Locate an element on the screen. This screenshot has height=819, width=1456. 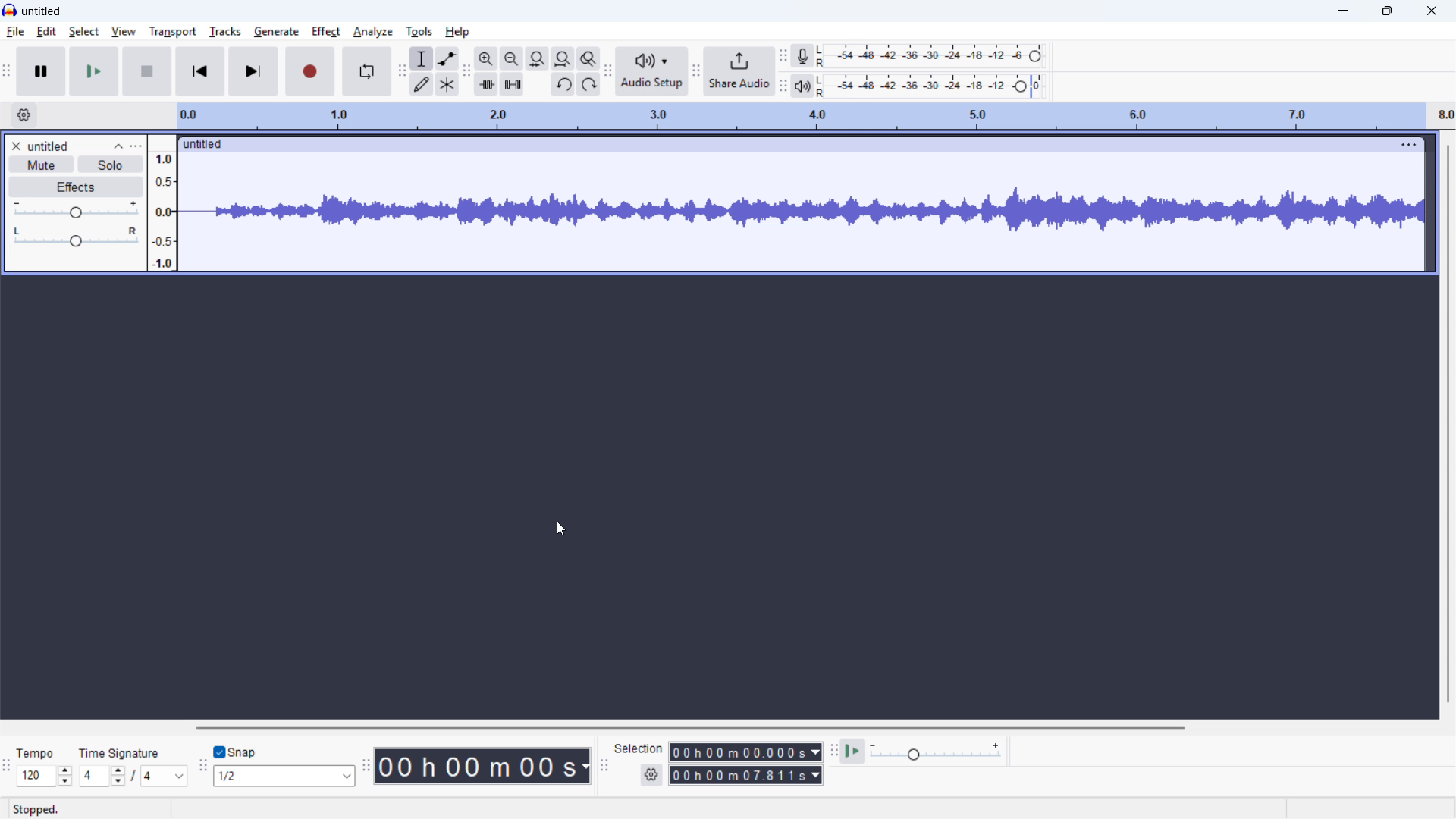
generate is located at coordinates (276, 31).